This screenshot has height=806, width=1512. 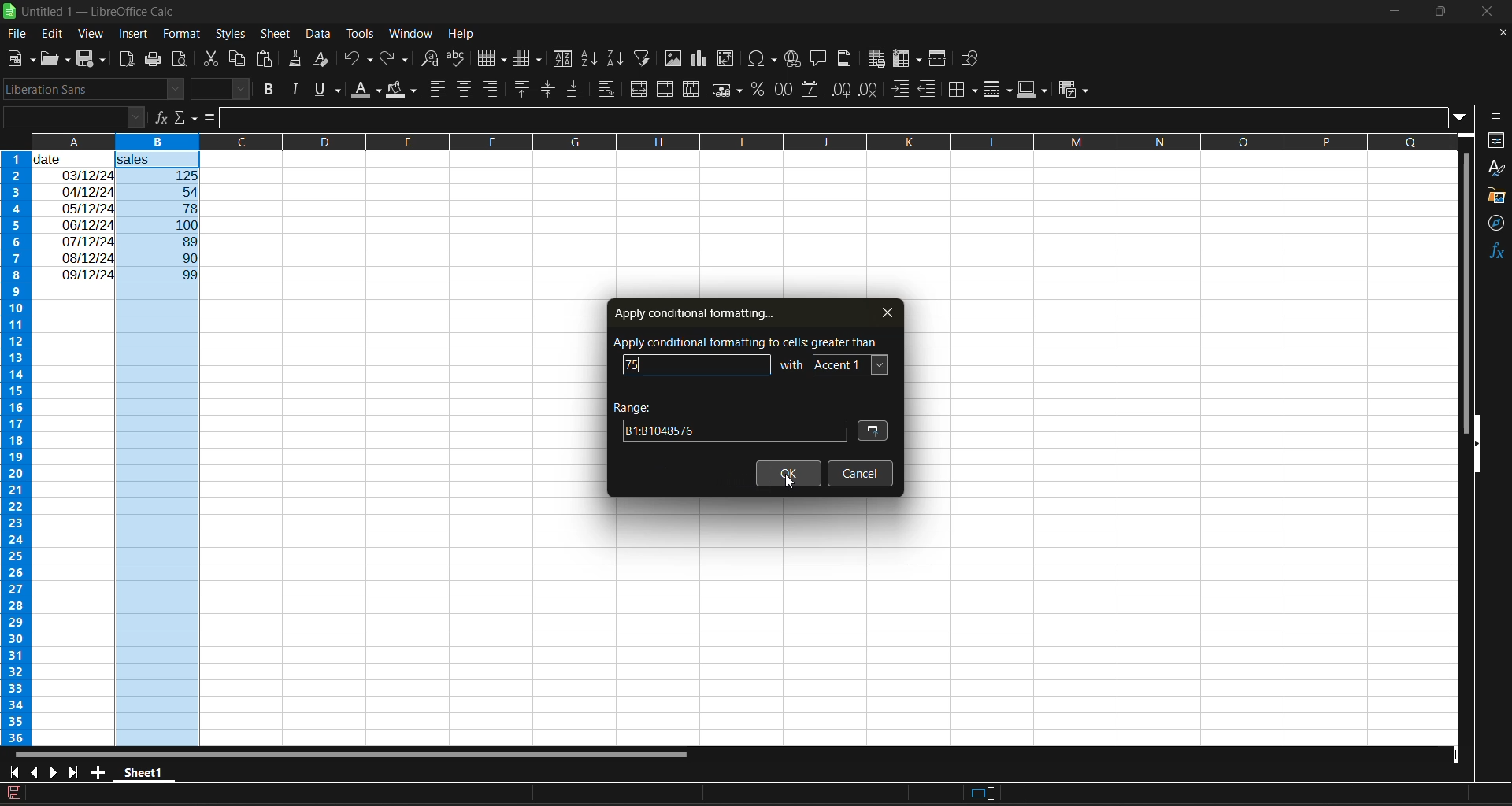 I want to click on sheet, so click(x=275, y=35).